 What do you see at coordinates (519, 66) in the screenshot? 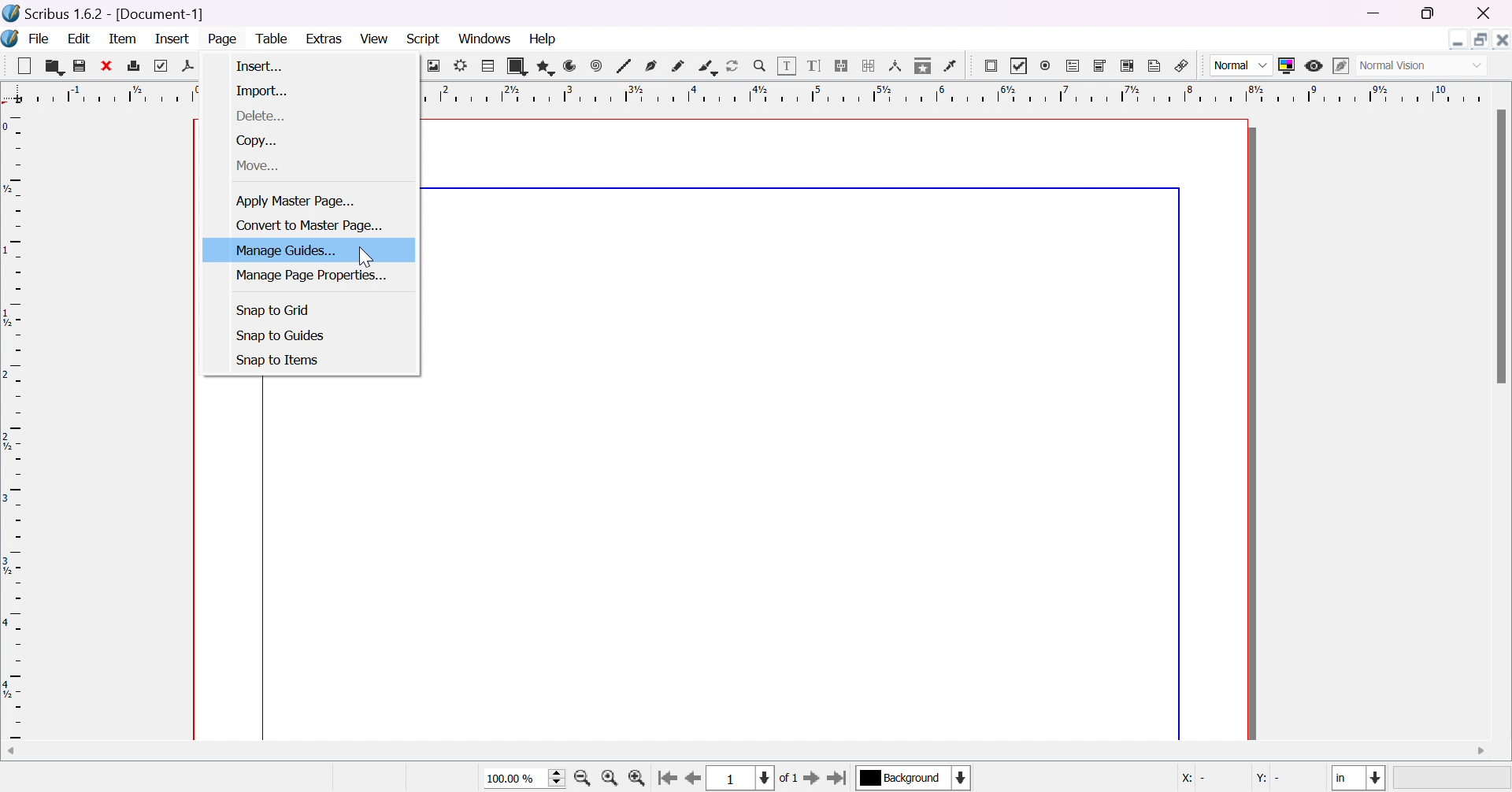
I see `shape` at bounding box center [519, 66].